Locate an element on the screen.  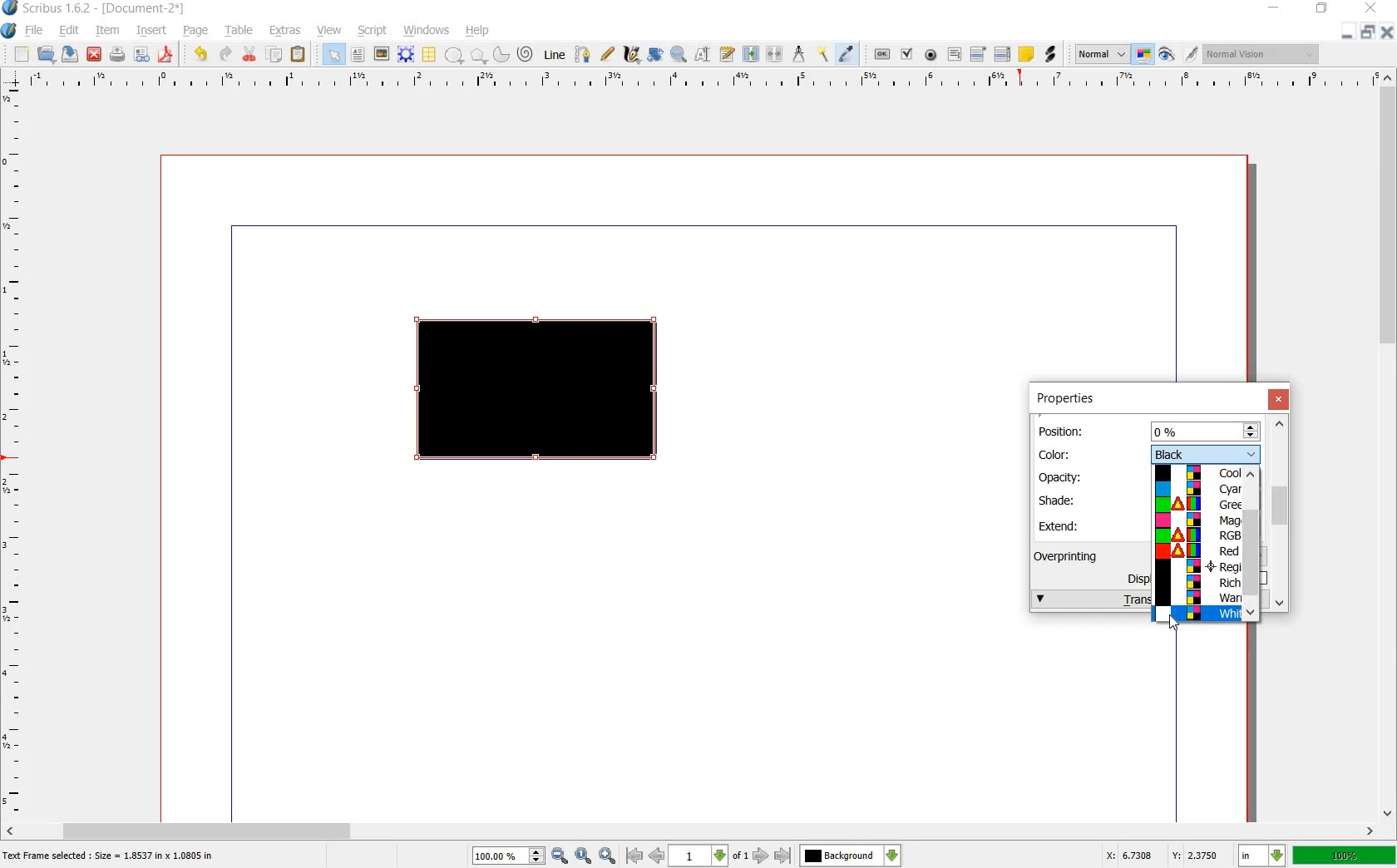
color is located at coordinates (1062, 453).